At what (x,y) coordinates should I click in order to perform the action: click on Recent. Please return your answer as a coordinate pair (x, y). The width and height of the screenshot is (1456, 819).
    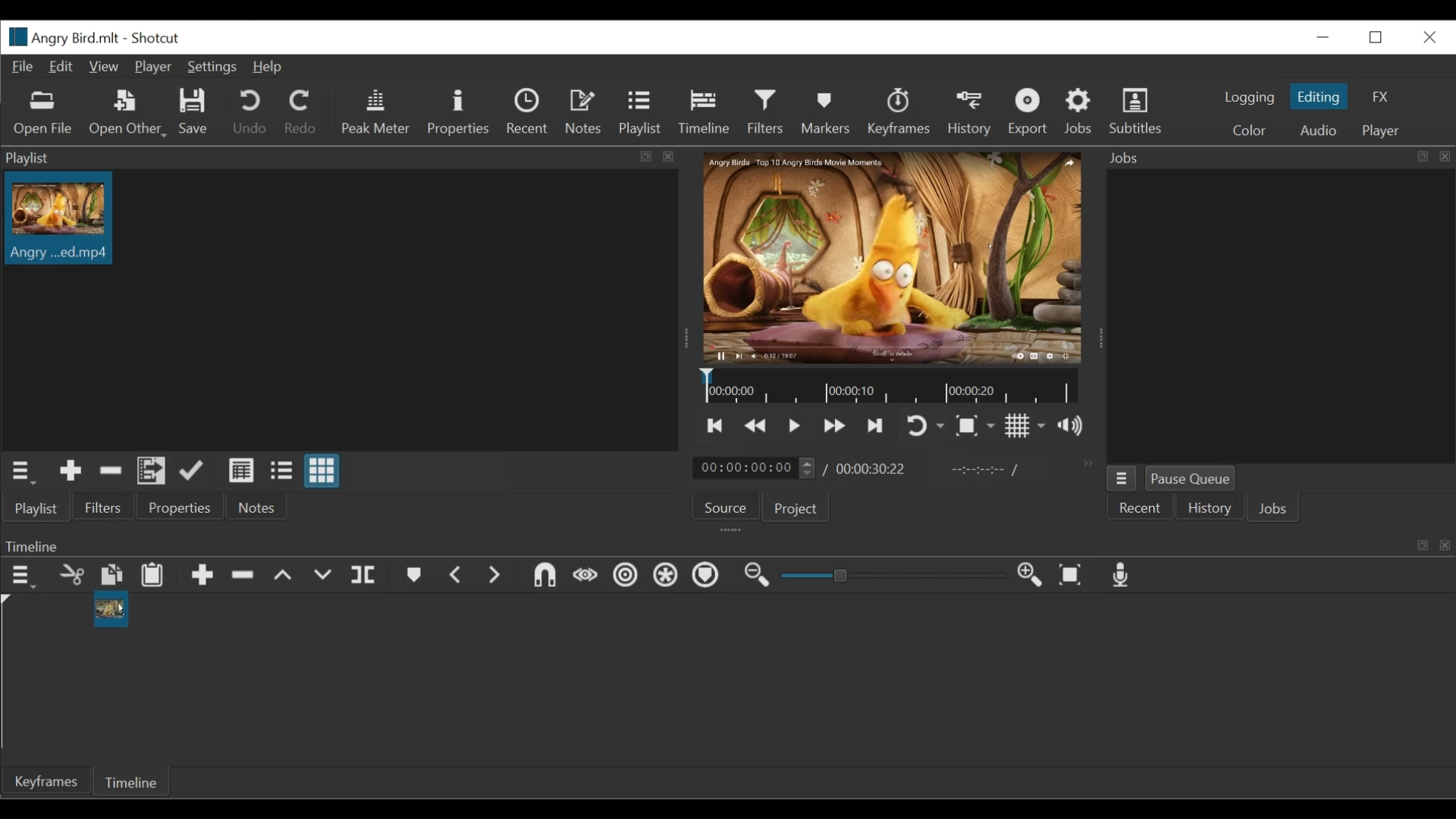
    Looking at the image, I should click on (1141, 508).